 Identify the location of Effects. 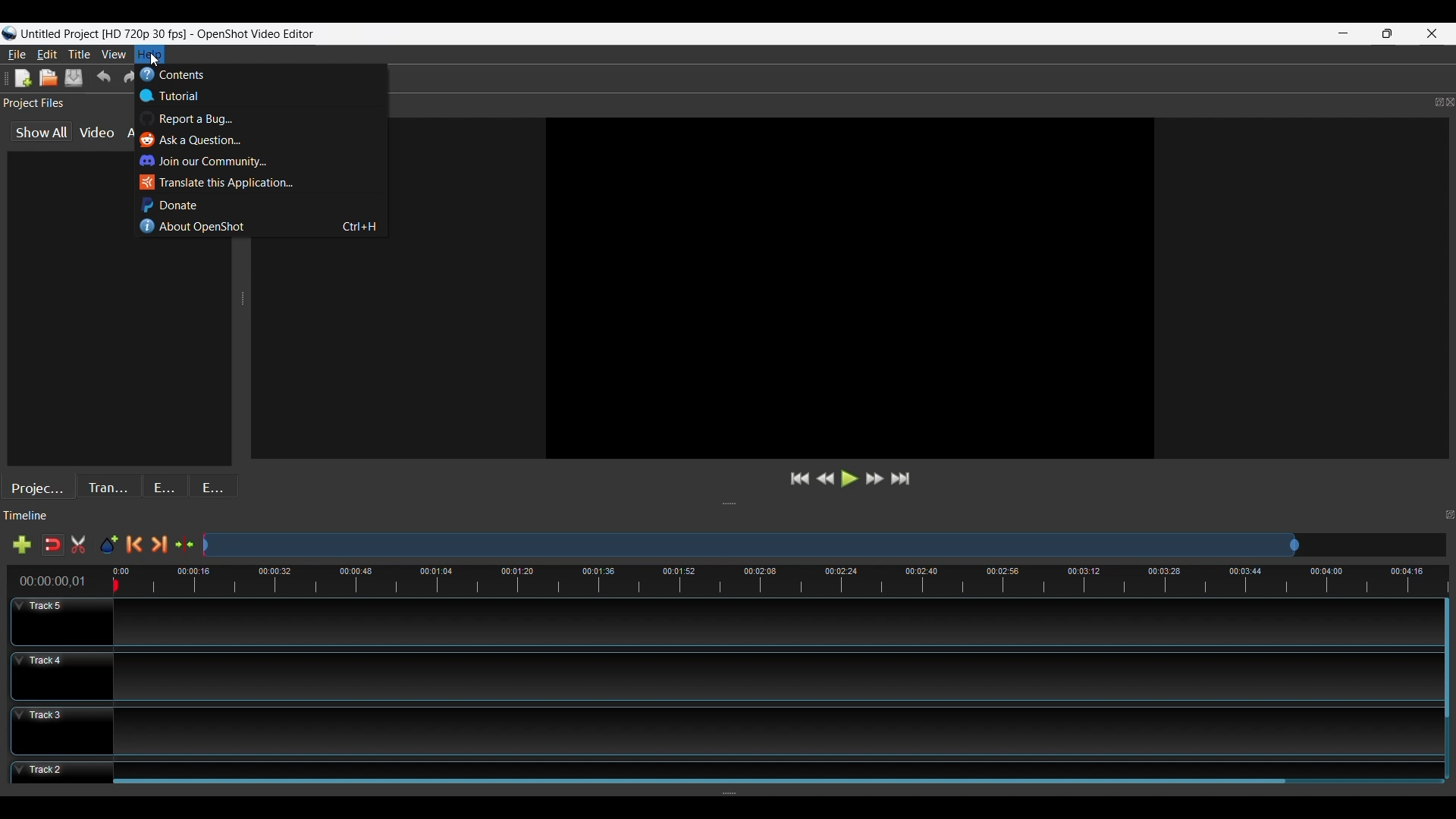
(166, 485).